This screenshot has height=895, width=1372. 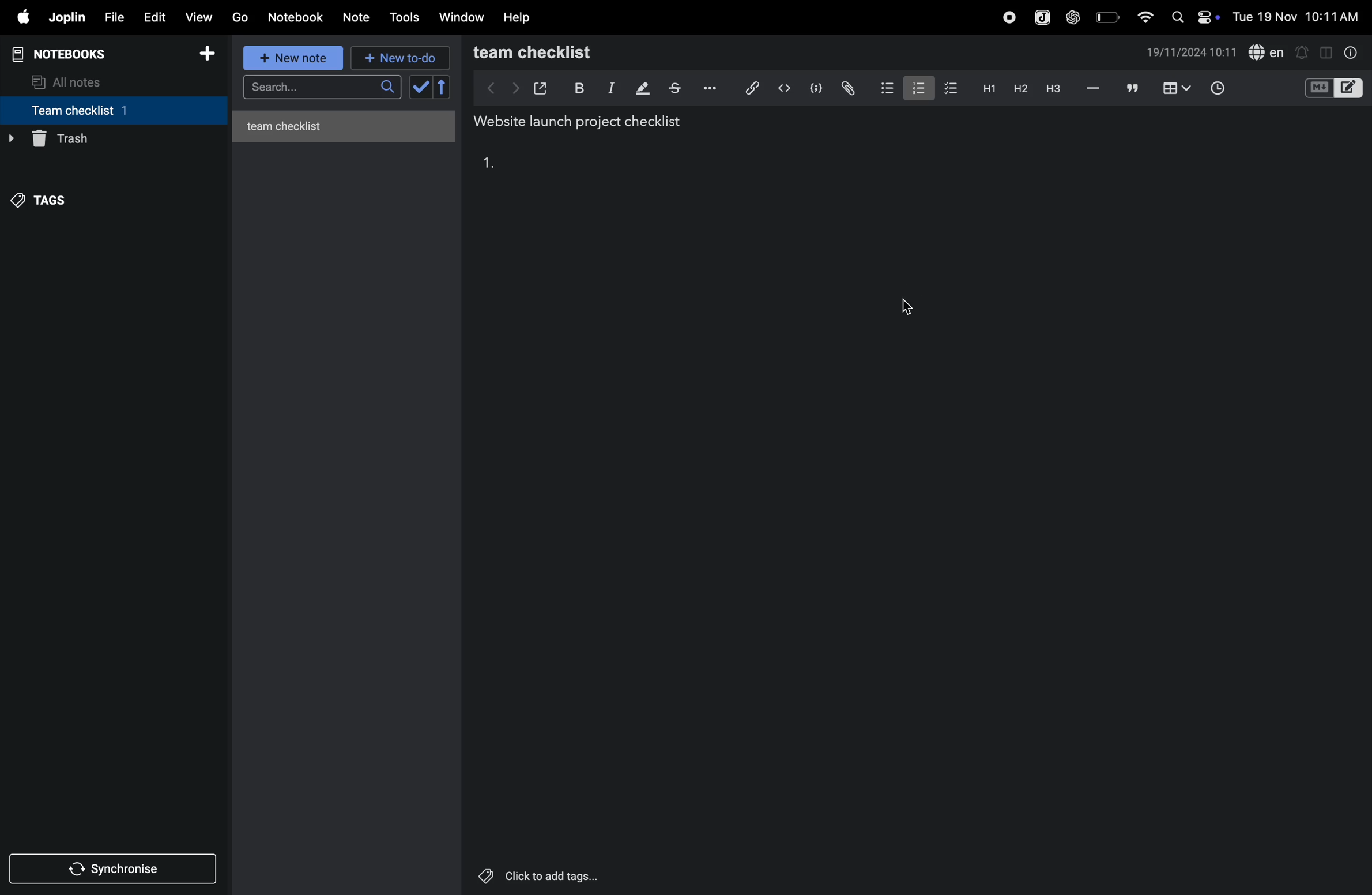 I want to click on options, so click(x=708, y=88).